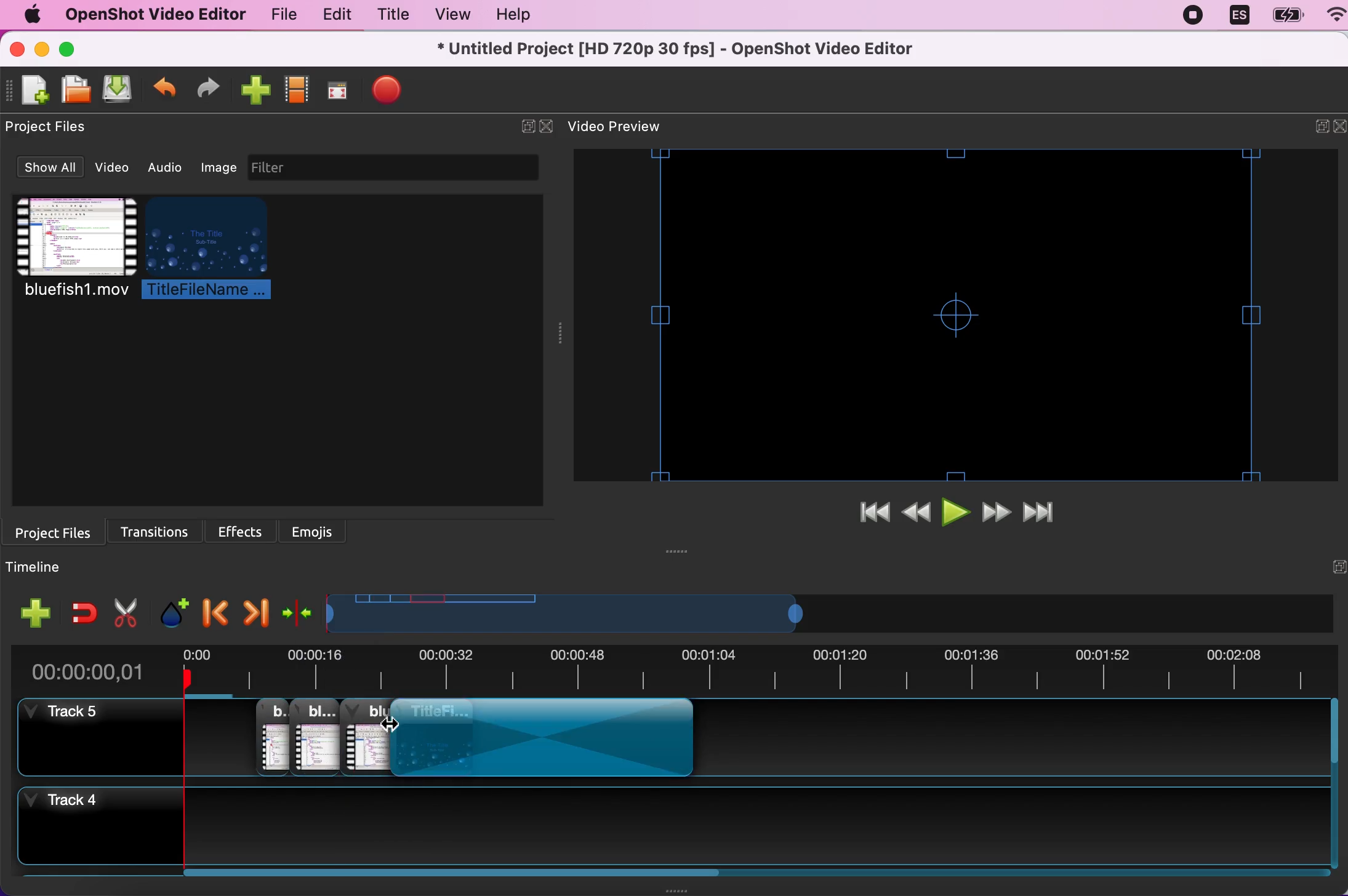 Image resolution: width=1348 pixels, height=896 pixels. I want to click on video preview, so click(628, 127).